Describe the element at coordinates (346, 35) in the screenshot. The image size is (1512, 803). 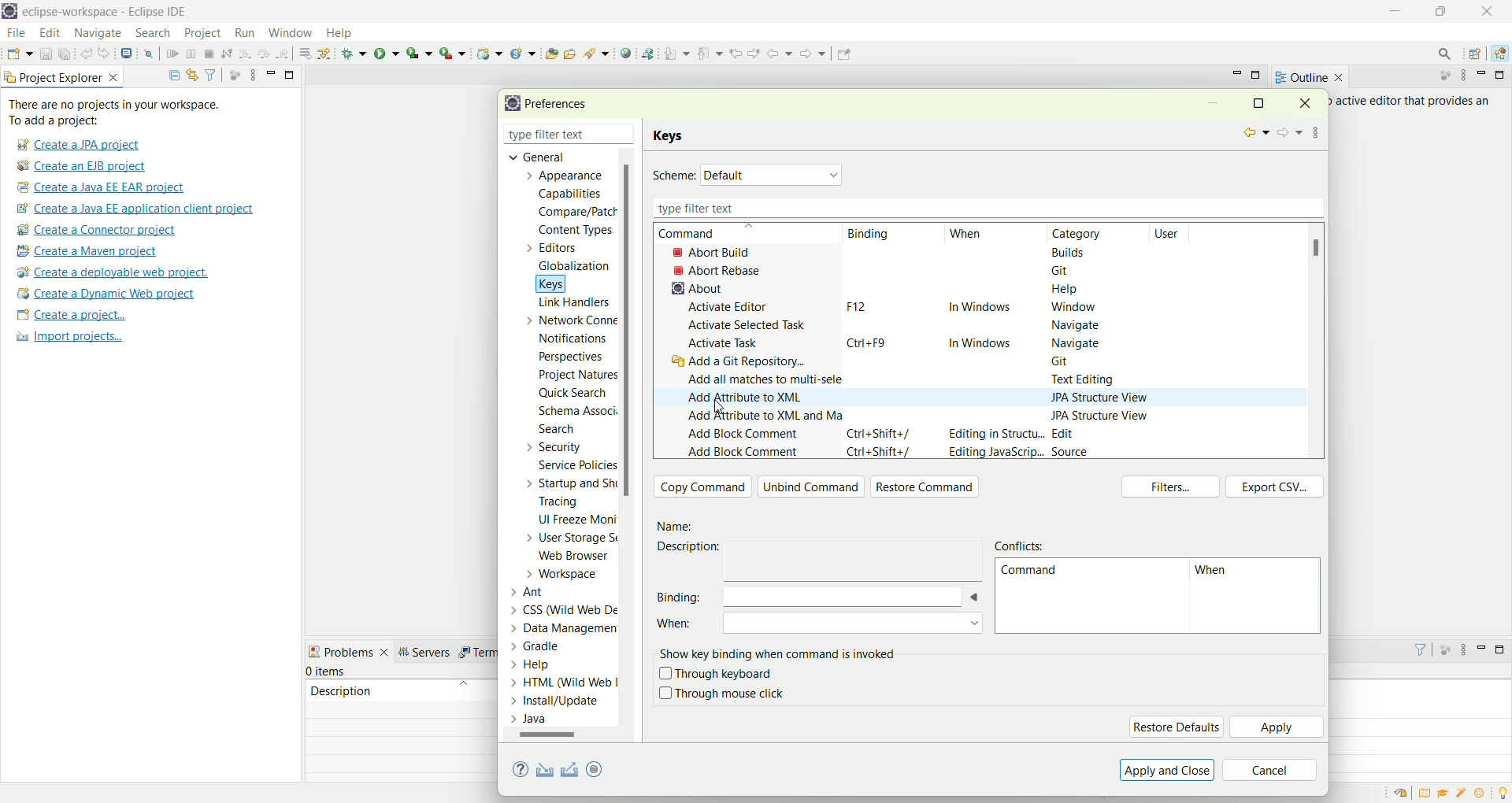
I see `help` at that location.